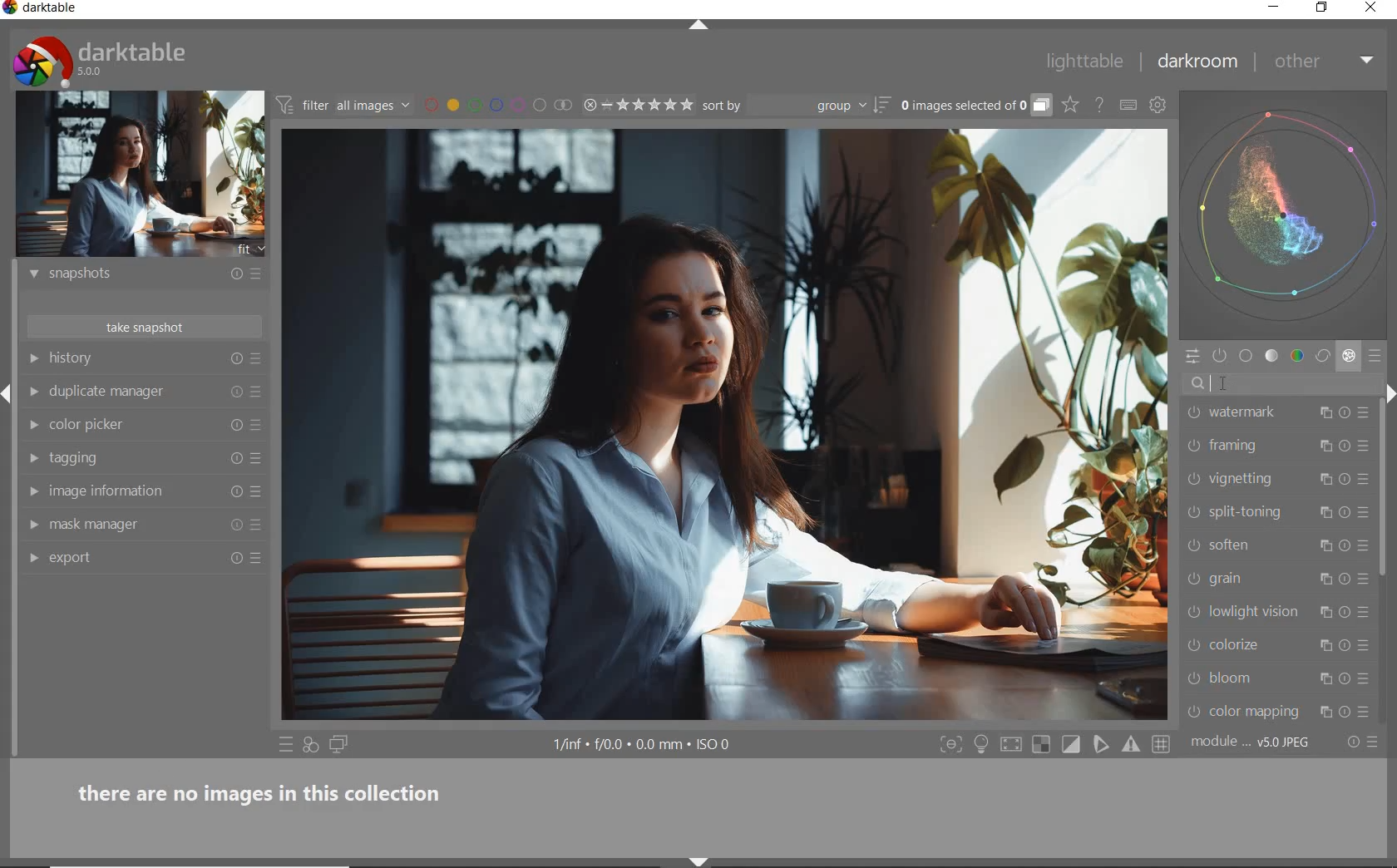  Describe the element at coordinates (1364, 546) in the screenshot. I see `preset and preferences` at that location.